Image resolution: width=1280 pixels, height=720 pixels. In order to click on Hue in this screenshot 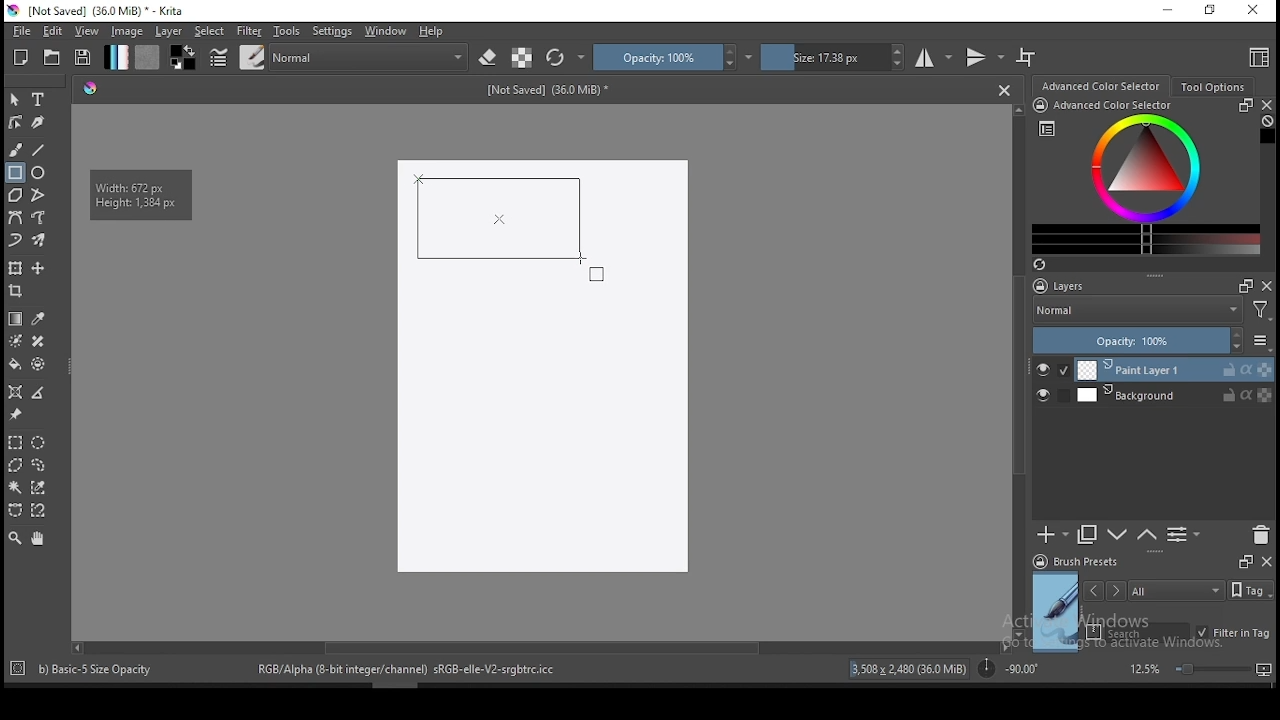, I will do `click(90, 88)`.